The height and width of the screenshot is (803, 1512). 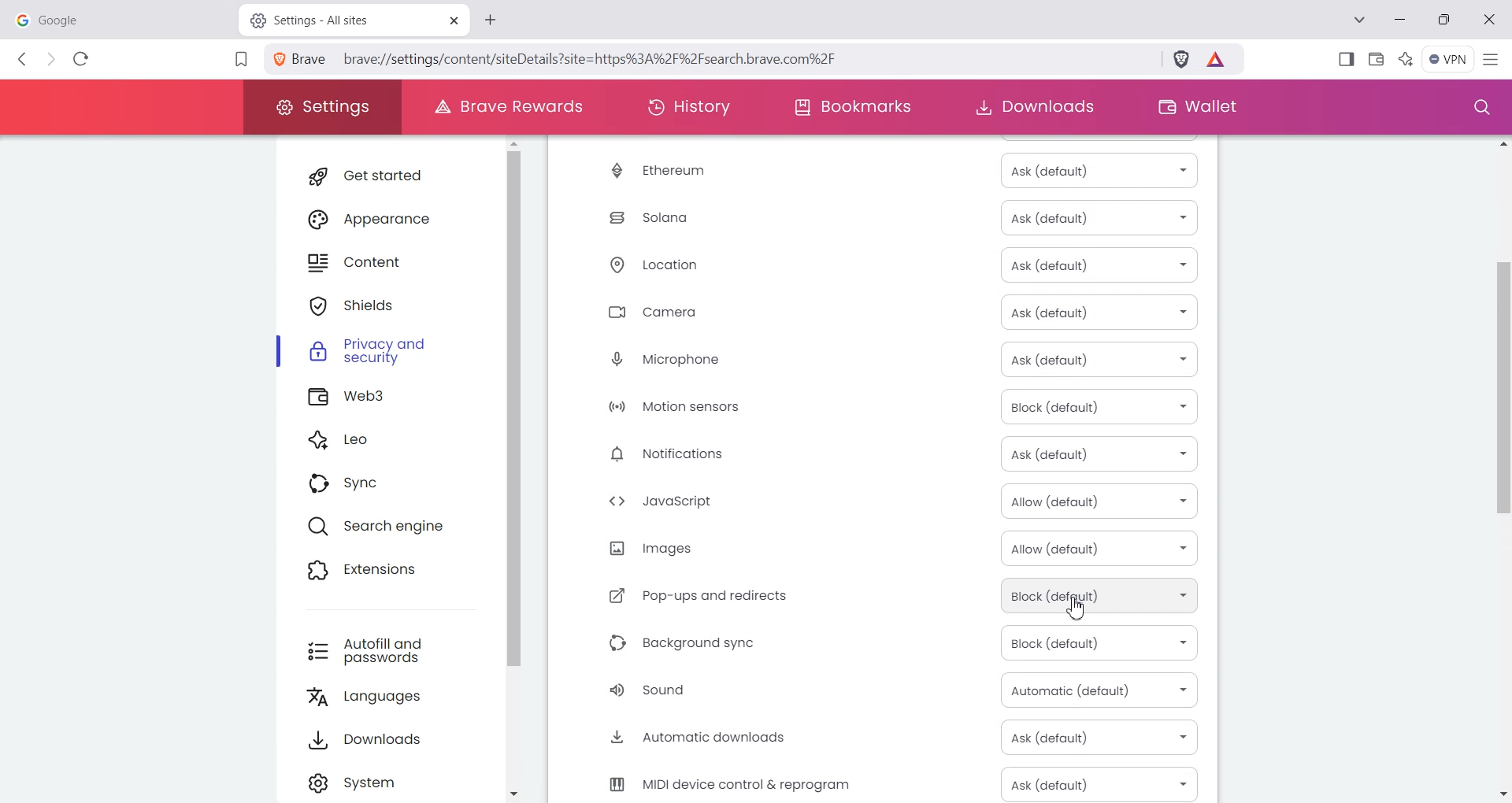 What do you see at coordinates (387, 572) in the screenshot?
I see `Extensions` at bounding box center [387, 572].